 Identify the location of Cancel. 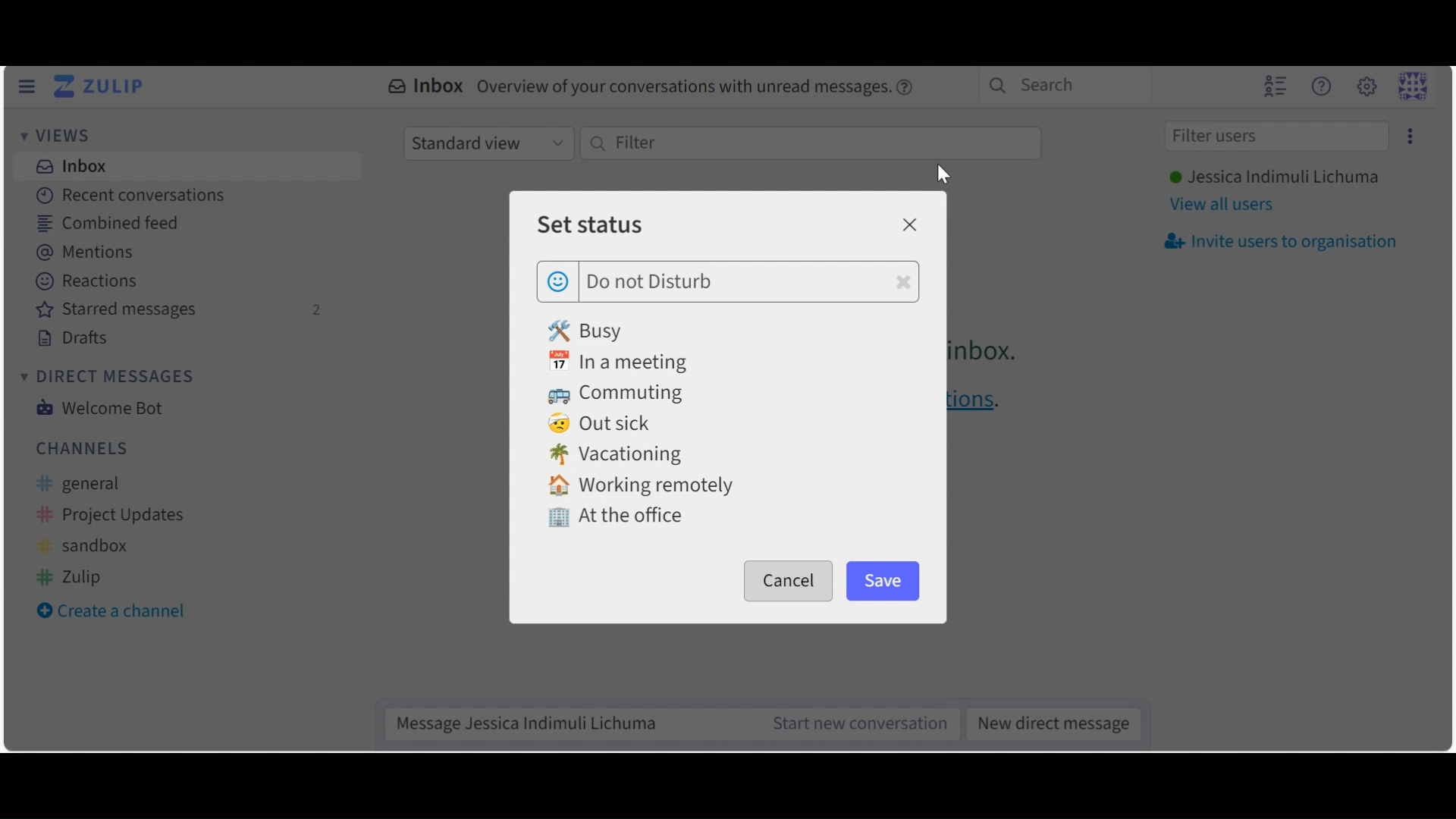
(789, 581).